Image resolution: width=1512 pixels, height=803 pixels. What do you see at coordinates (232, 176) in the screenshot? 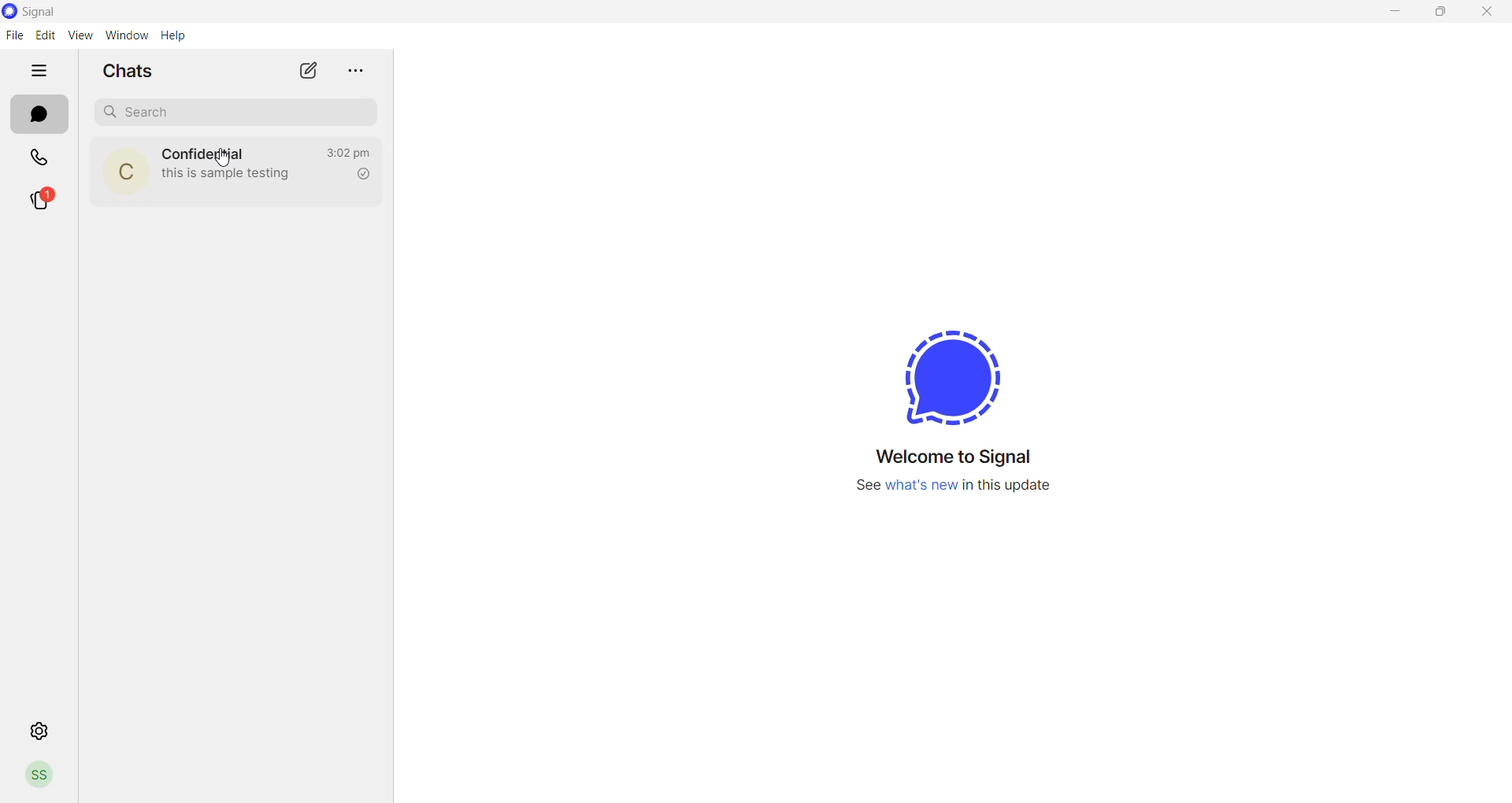
I see `last message` at bounding box center [232, 176].